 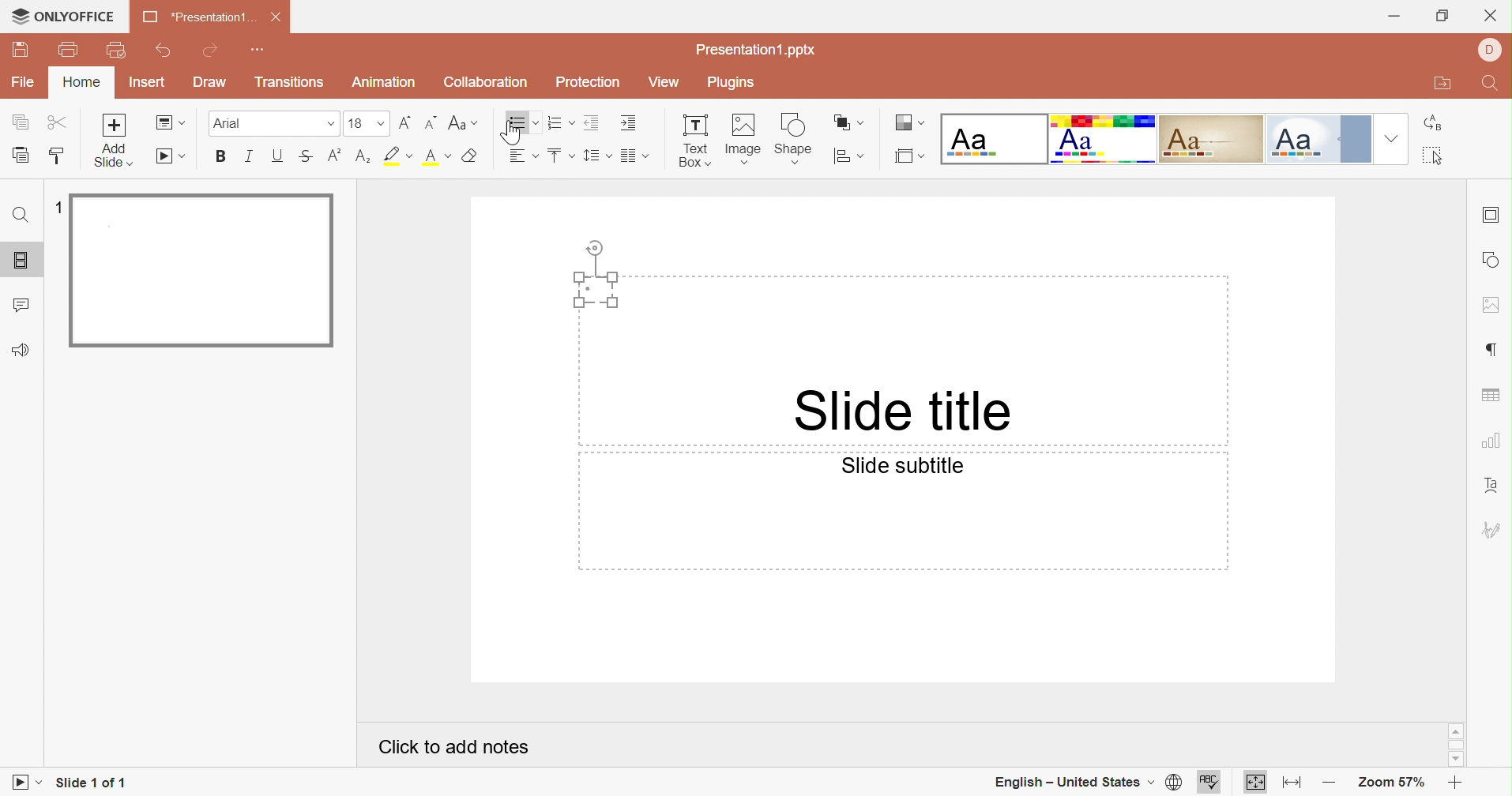 What do you see at coordinates (81, 84) in the screenshot?
I see `Home` at bounding box center [81, 84].